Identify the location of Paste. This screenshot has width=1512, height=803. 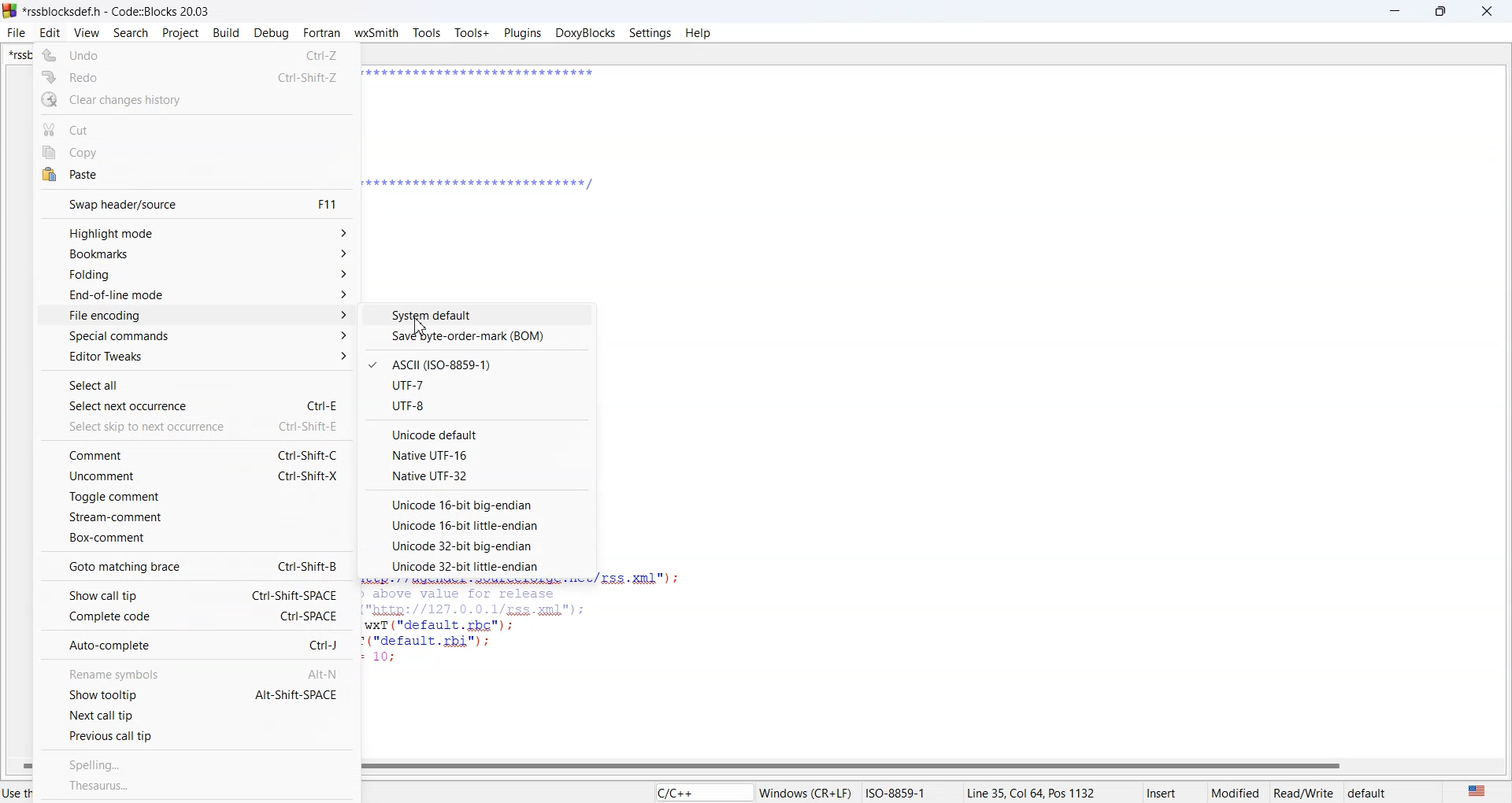
(195, 176).